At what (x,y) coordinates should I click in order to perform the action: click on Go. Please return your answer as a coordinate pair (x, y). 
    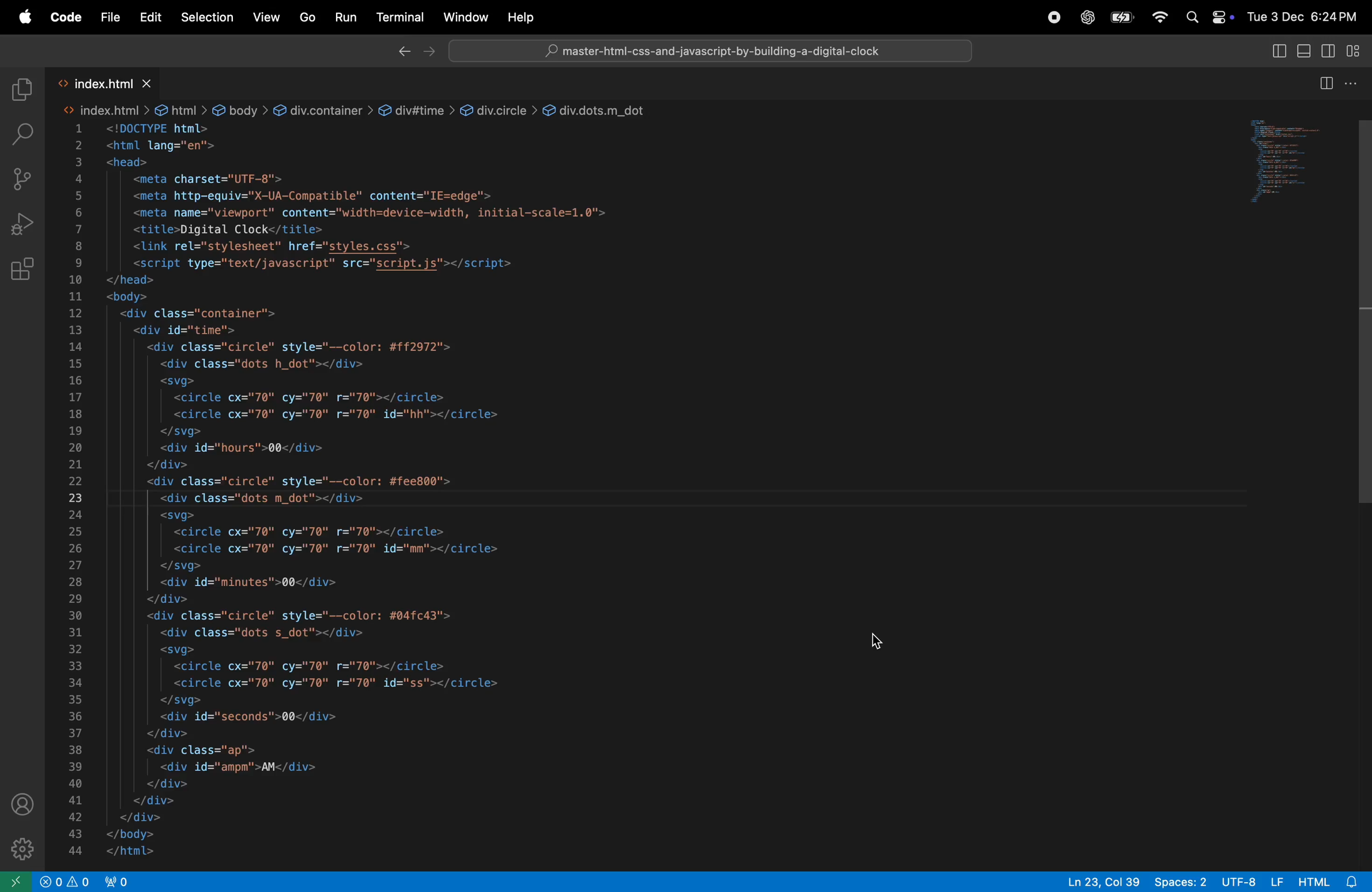
    Looking at the image, I should click on (308, 18).